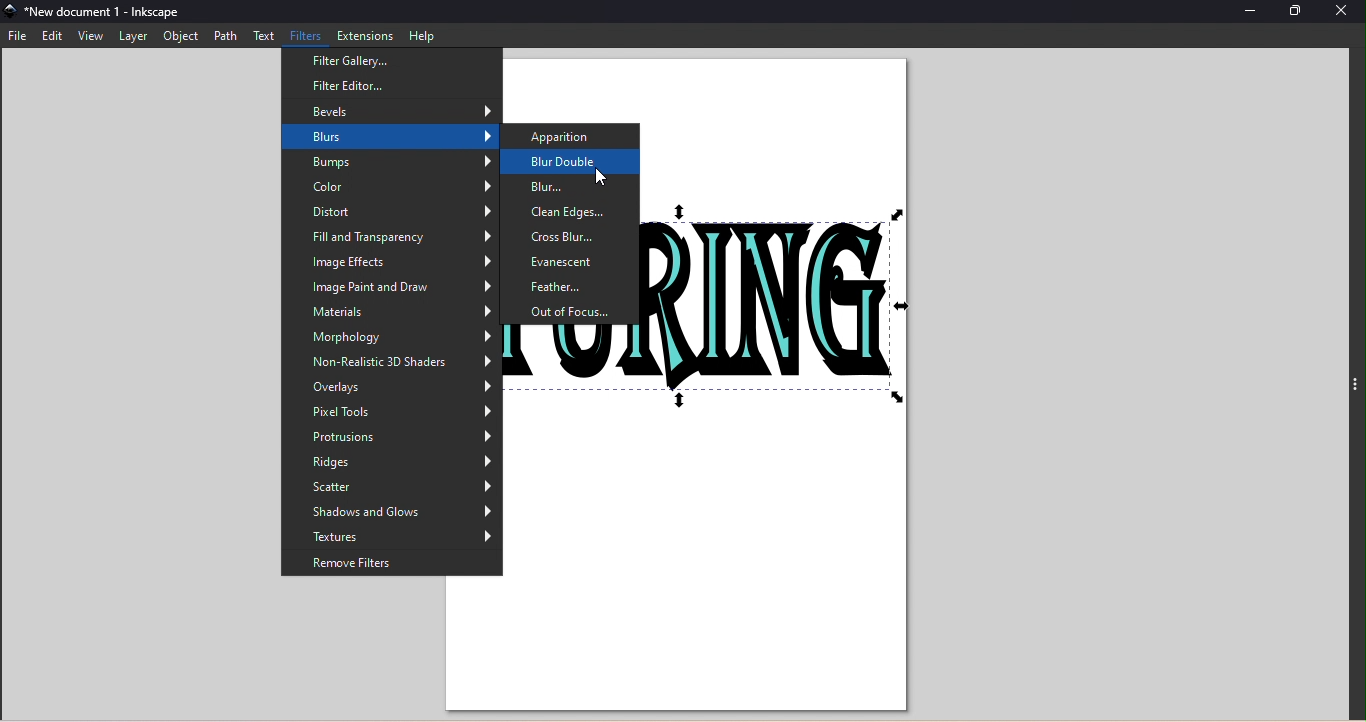  I want to click on View, so click(91, 36).